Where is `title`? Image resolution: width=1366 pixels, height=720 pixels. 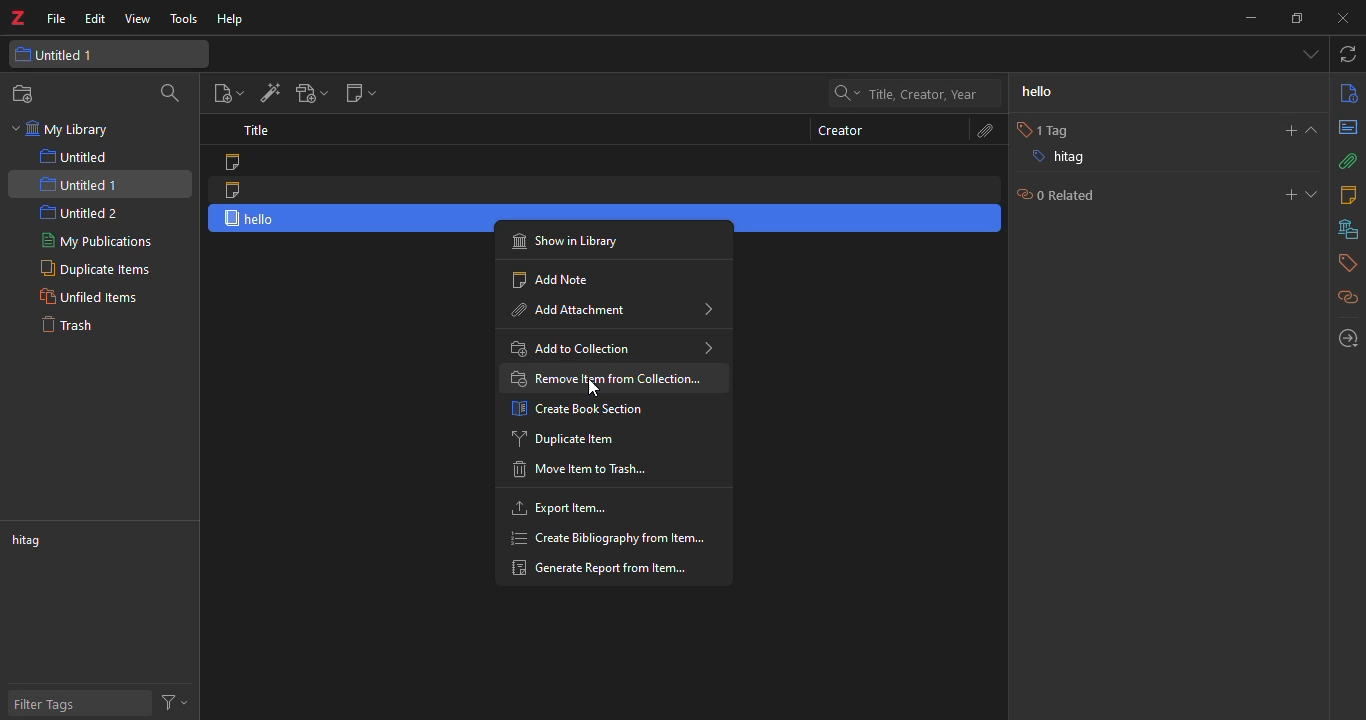
title is located at coordinates (252, 132).